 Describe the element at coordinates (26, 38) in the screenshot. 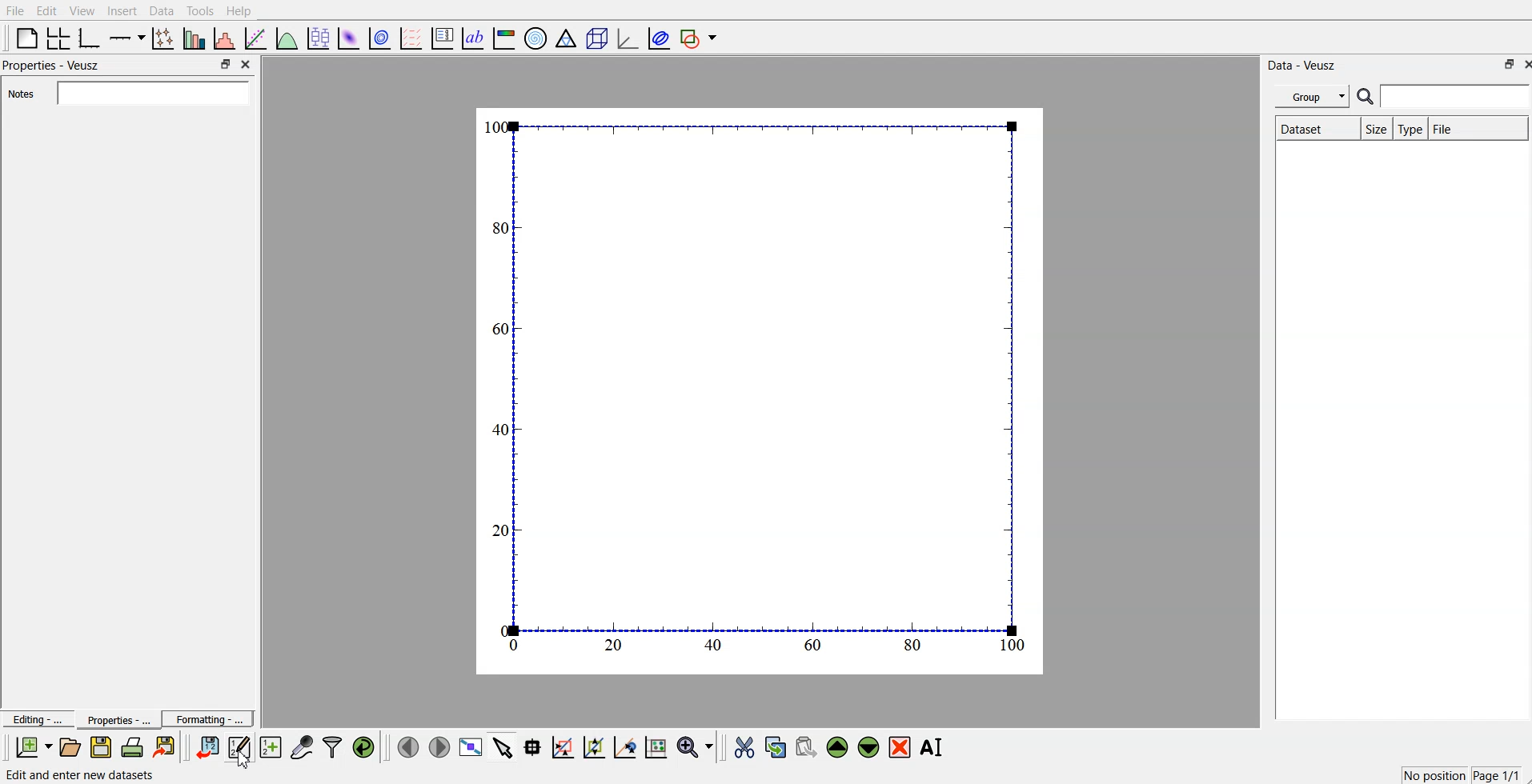

I see `blank page` at that location.